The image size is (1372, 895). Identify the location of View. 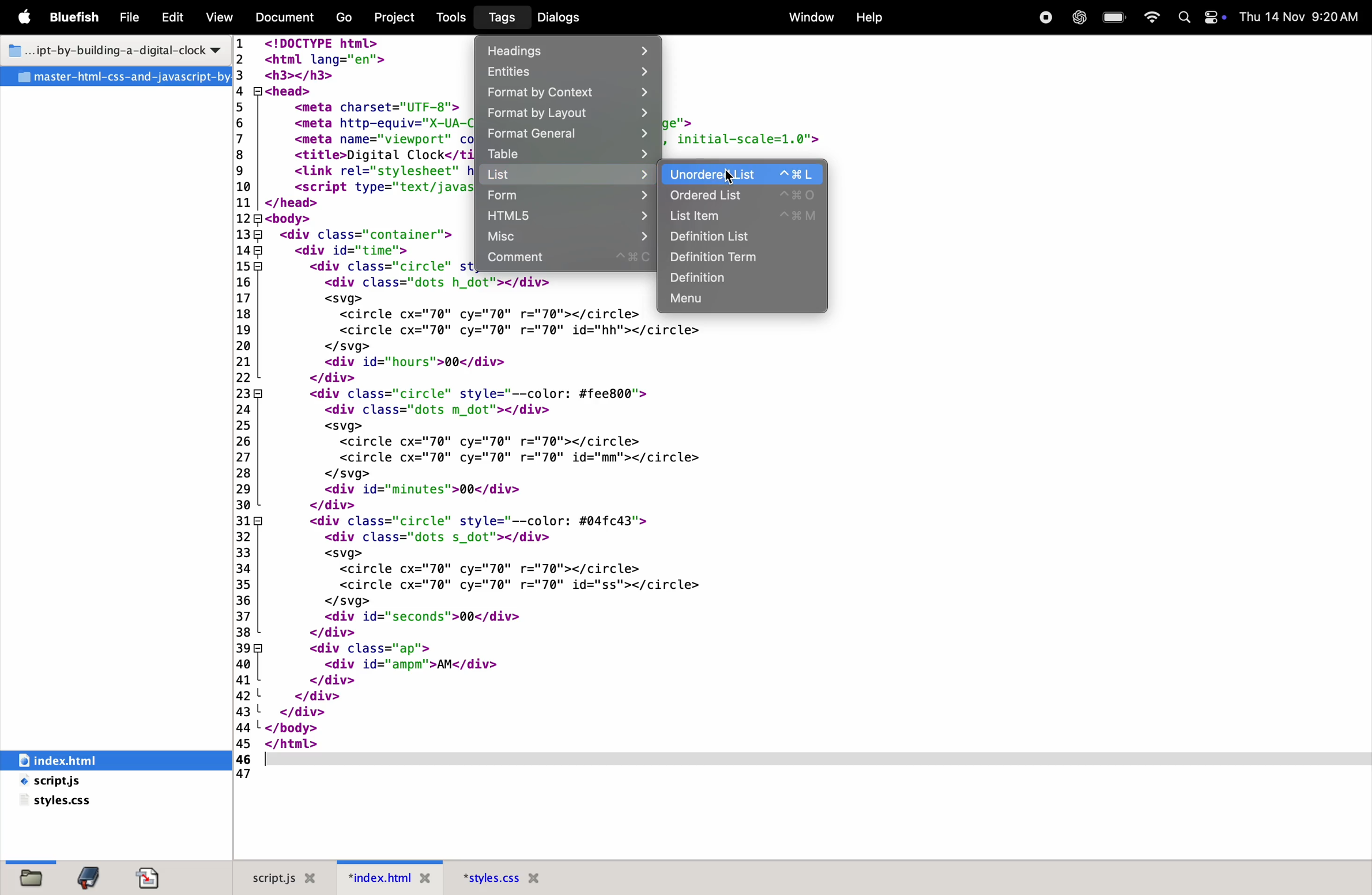
(220, 17).